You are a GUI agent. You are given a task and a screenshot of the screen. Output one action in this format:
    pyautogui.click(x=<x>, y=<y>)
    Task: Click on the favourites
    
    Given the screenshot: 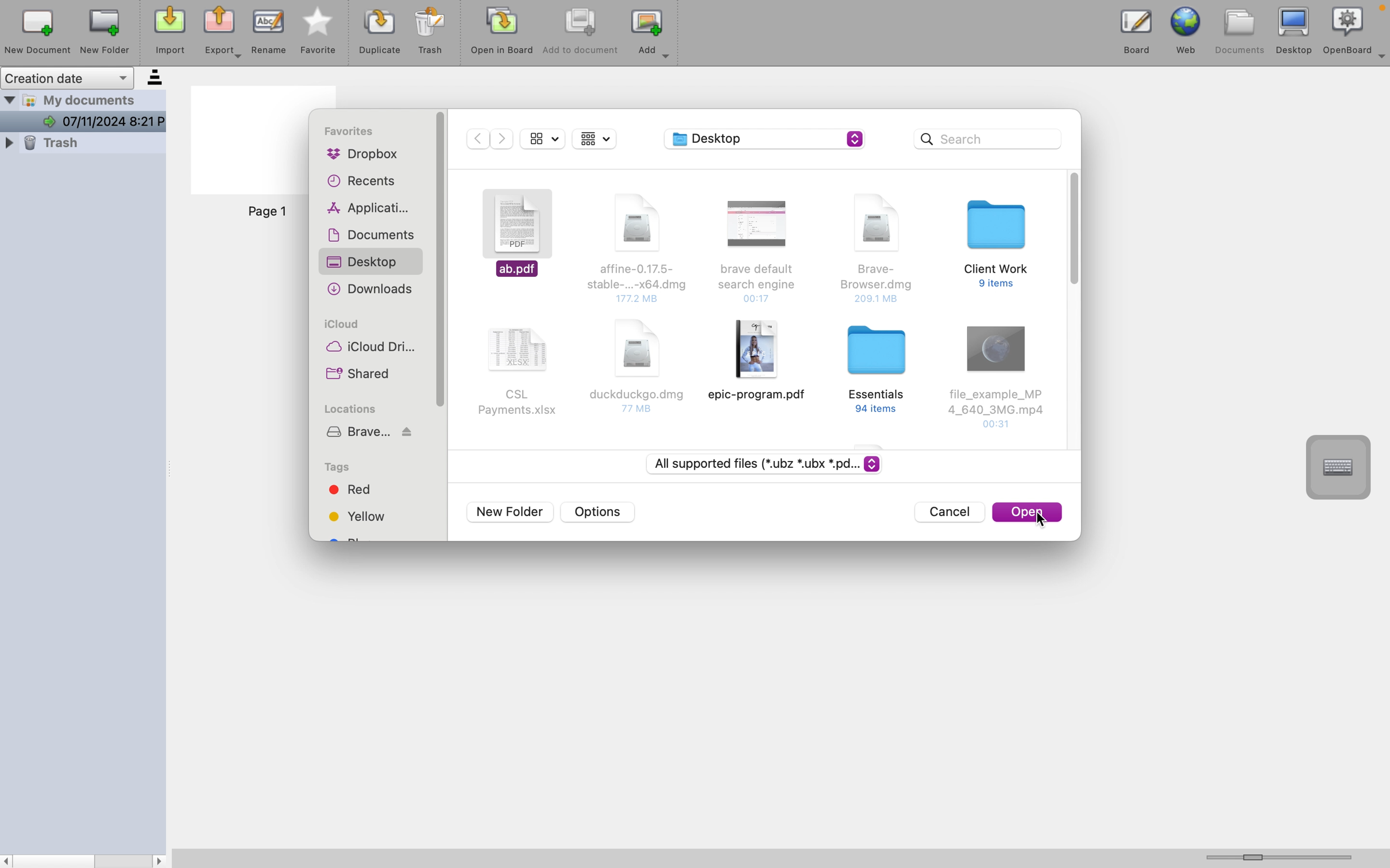 What is the action you would take?
    pyautogui.click(x=348, y=133)
    